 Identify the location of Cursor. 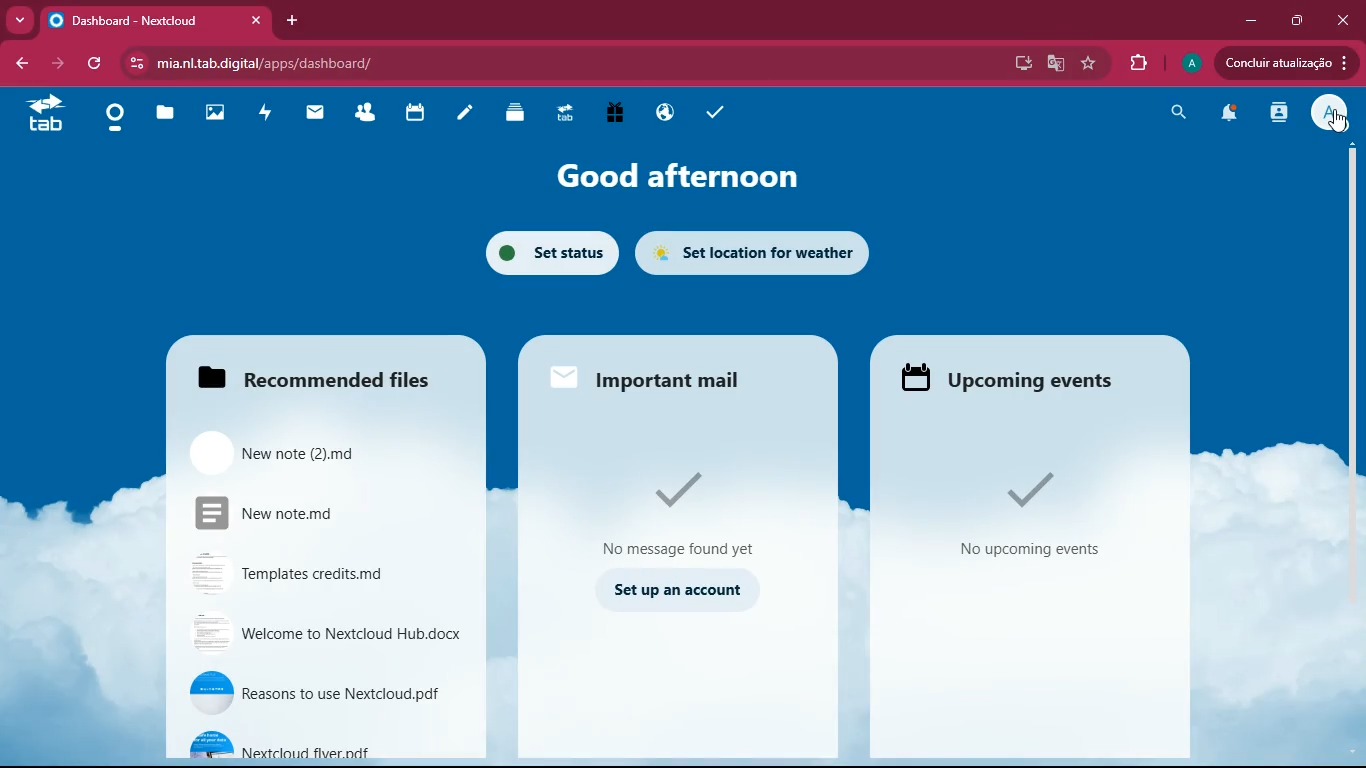
(1338, 123).